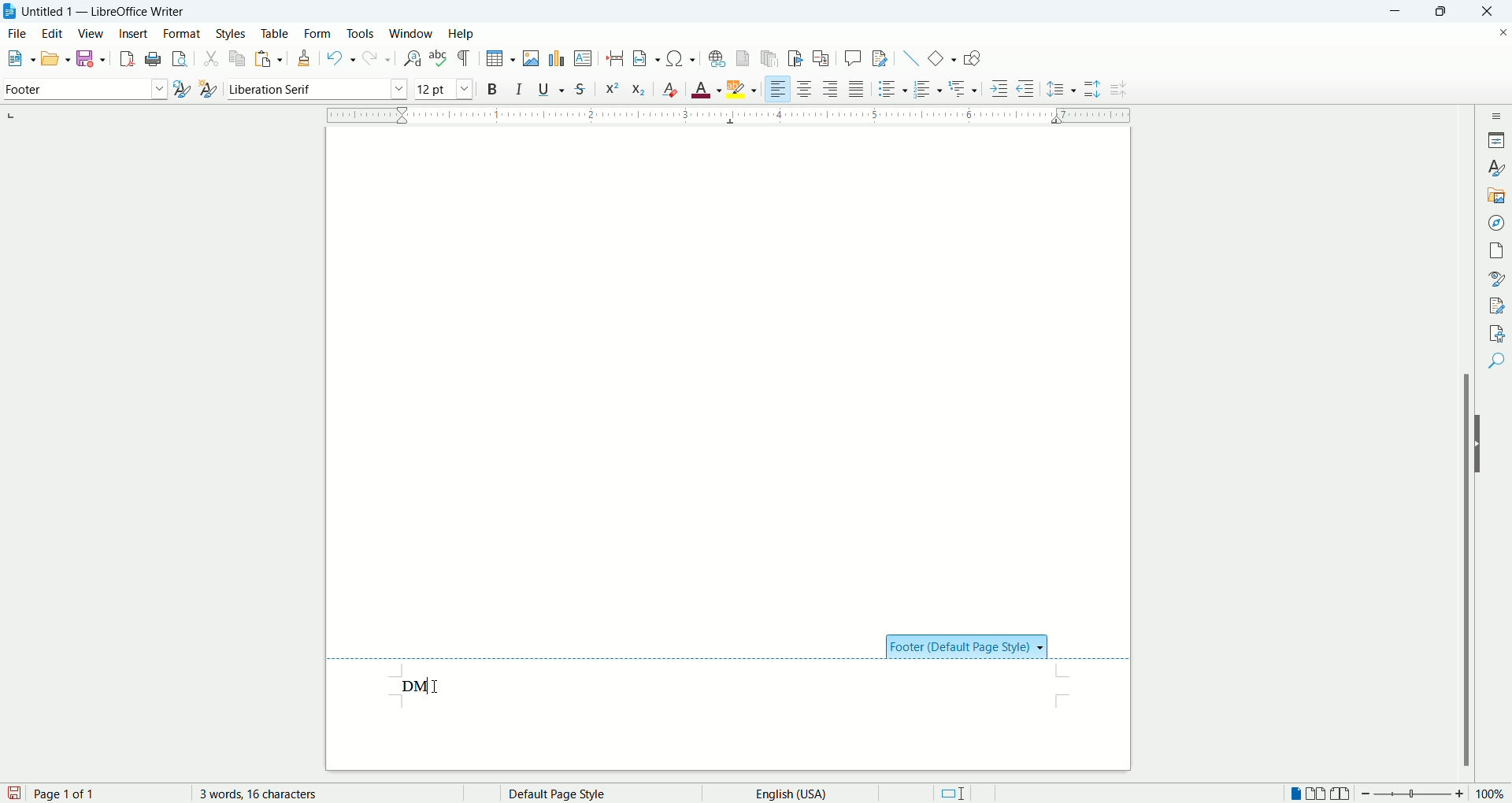 This screenshot has width=1512, height=803. Describe the element at coordinates (580, 91) in the screenshot. I see `strikethrough` at that location.